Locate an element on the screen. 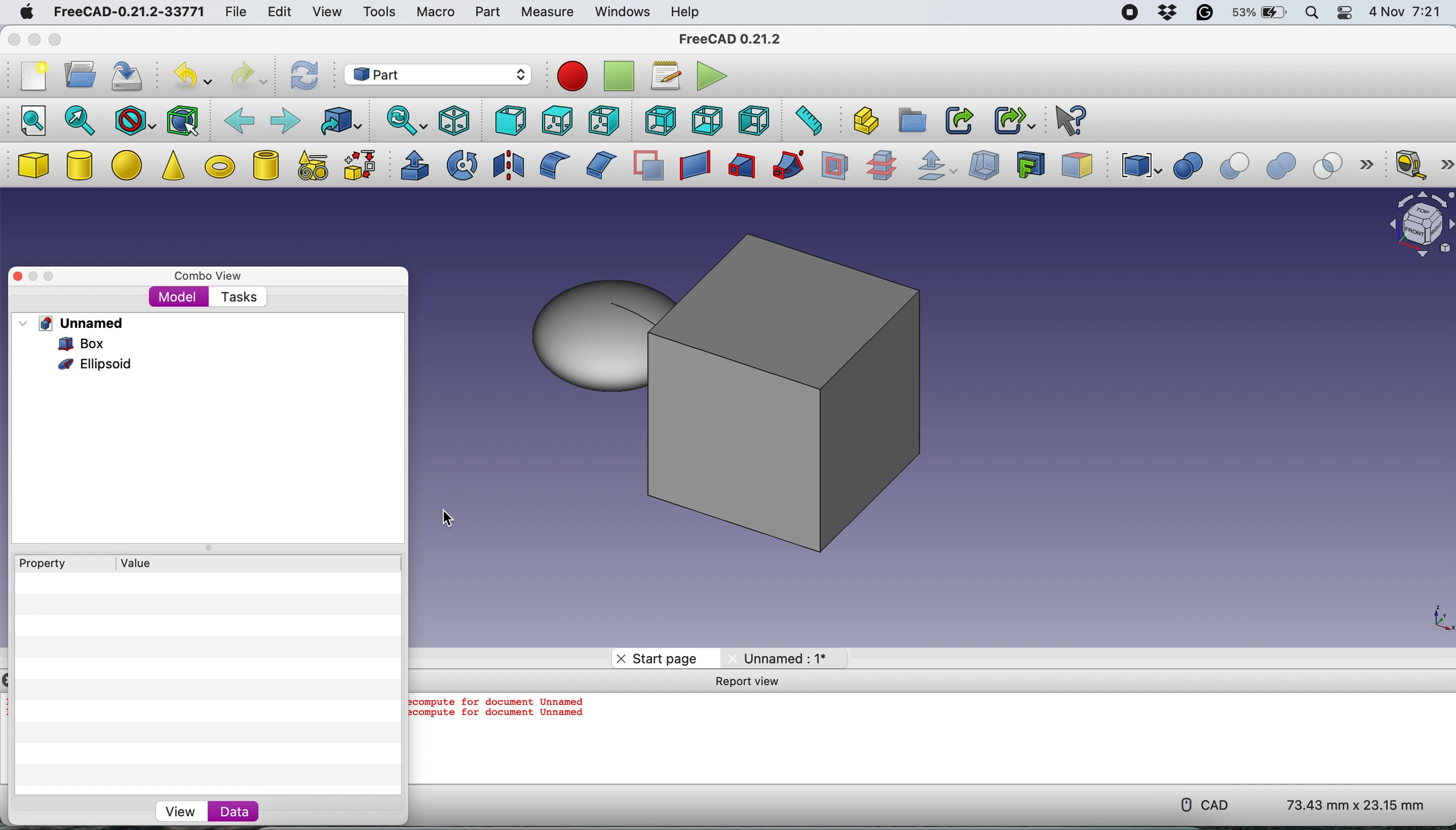 Image resolution: width=1456 pixels, height=830 pixels. draw style is located at coordinates (134, 121).